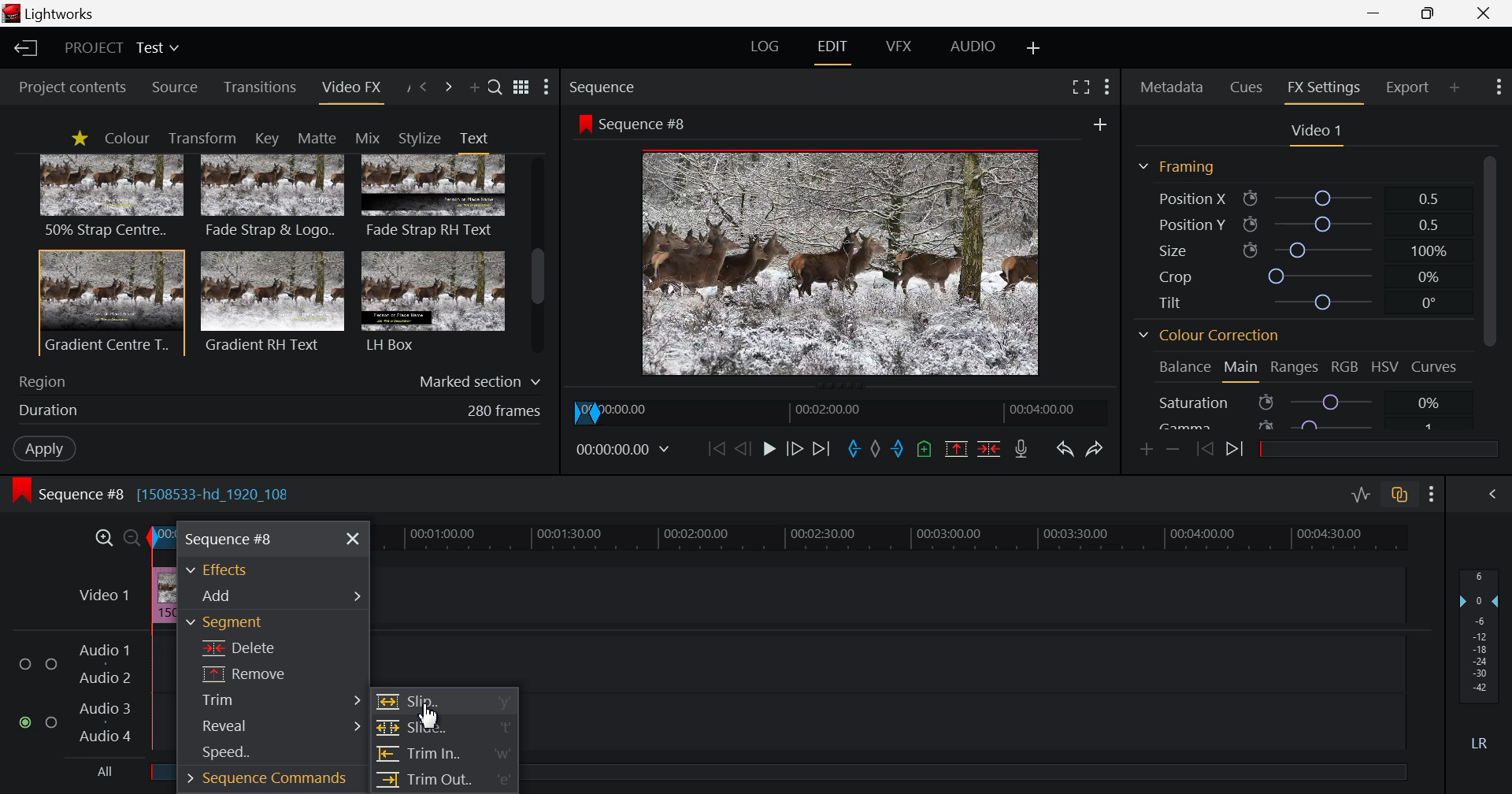  I want to click on Cursor, so click(431, 718).